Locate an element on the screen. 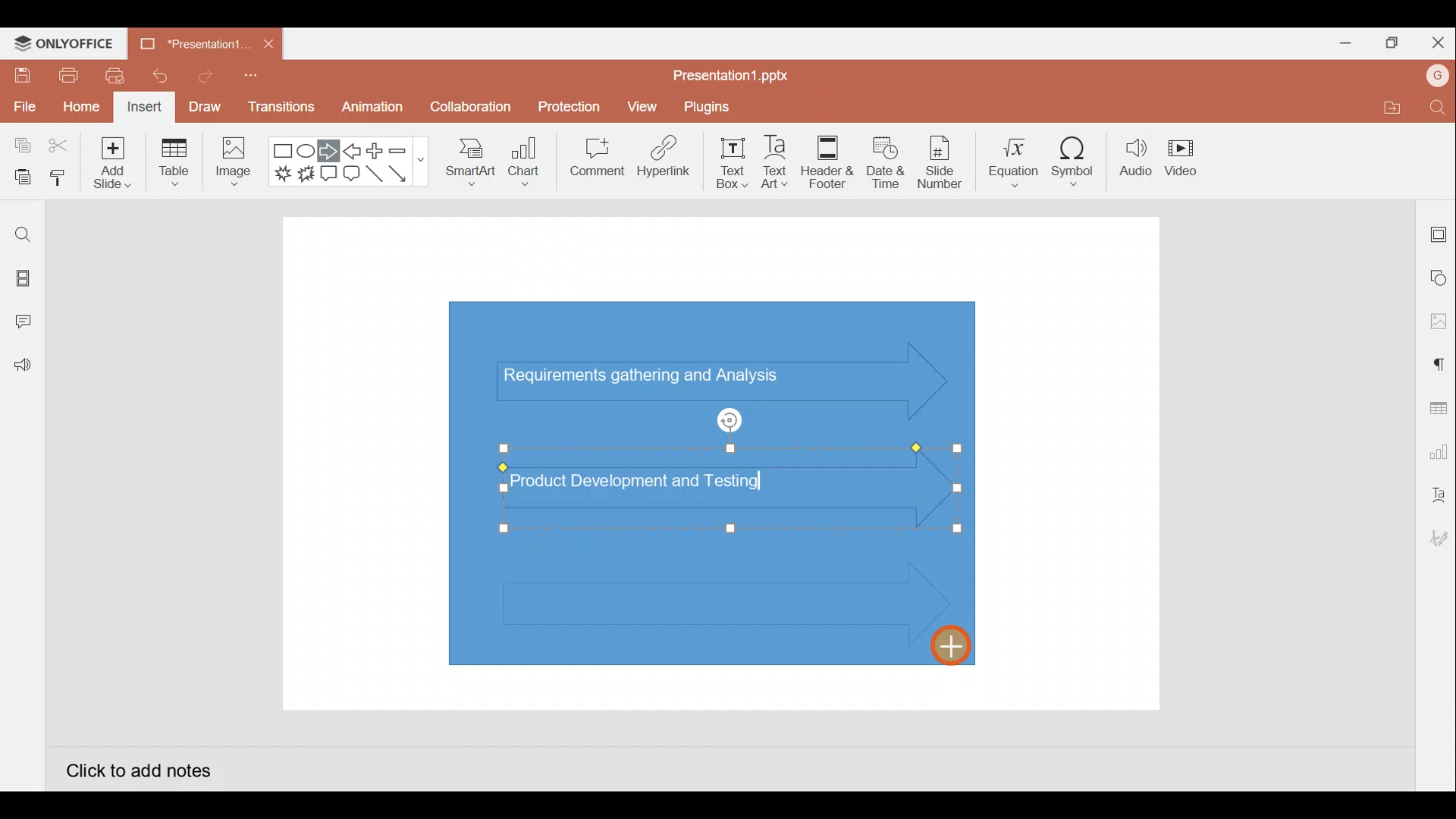 Image resolution: width=1456 pixels, height=819 pixels. Equation is located at coordinates (1015, 157).